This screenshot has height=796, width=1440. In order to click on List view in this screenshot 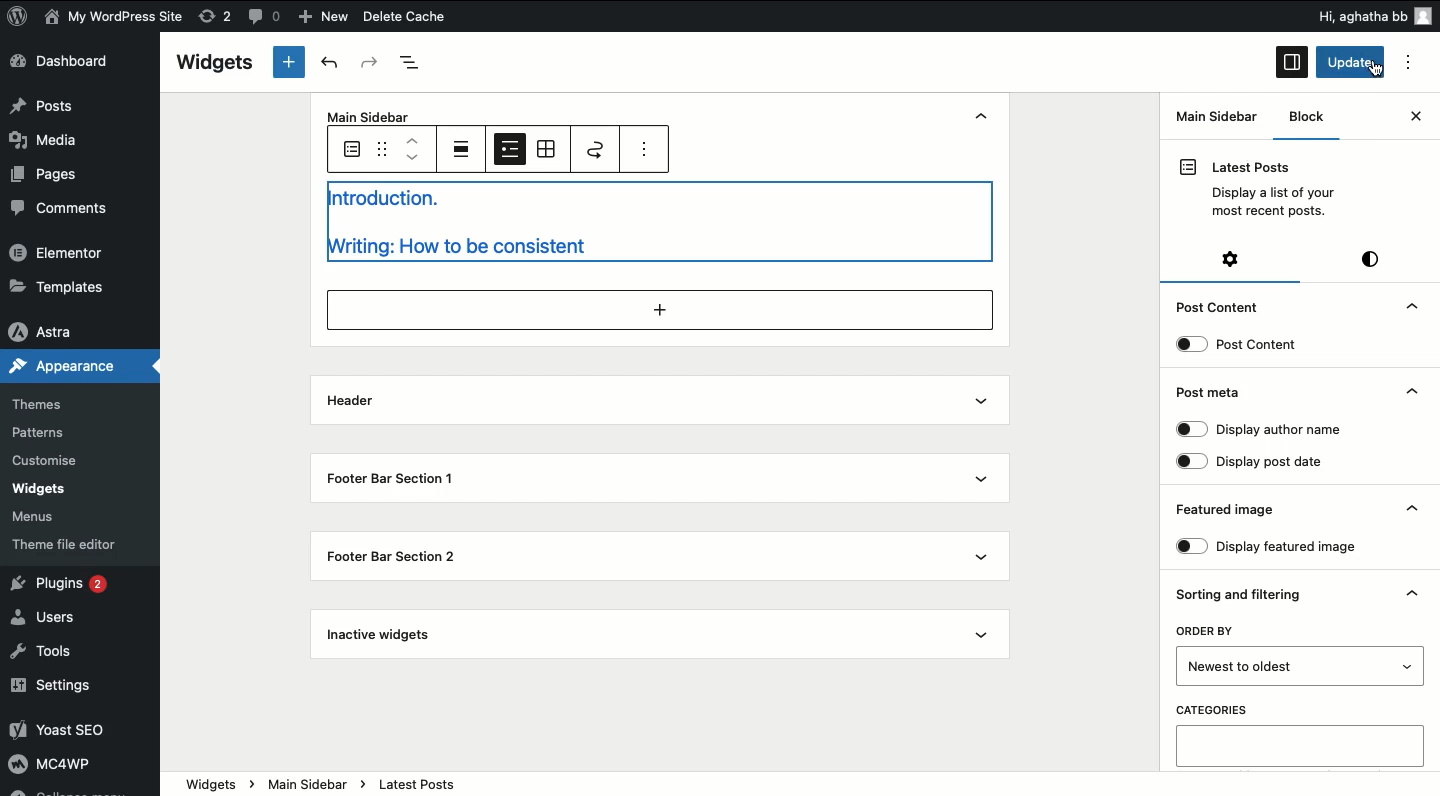, I will do `click(509, 149)`.